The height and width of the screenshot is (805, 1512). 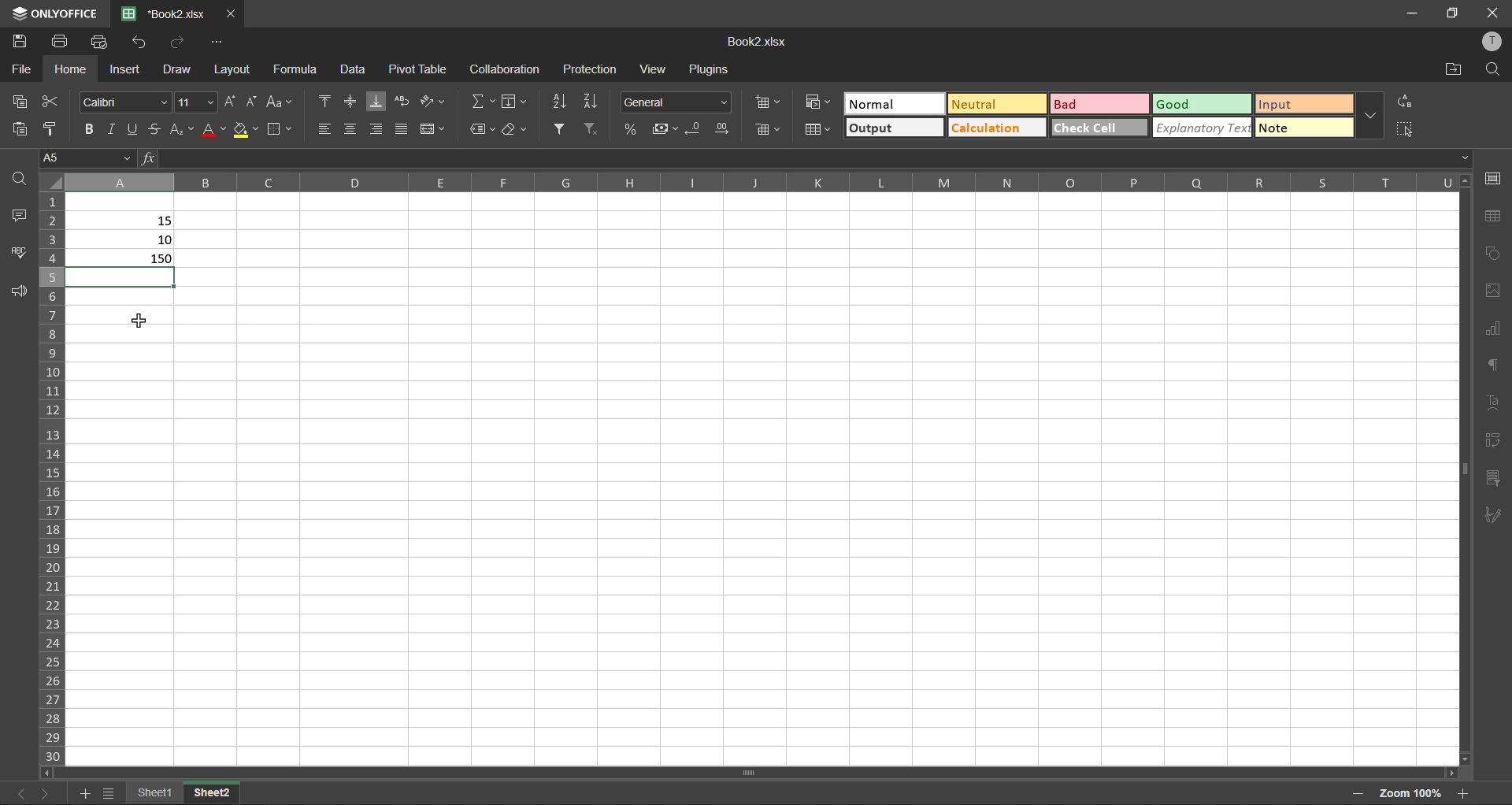 I want to click on feedback, so click(x=21, y=292).